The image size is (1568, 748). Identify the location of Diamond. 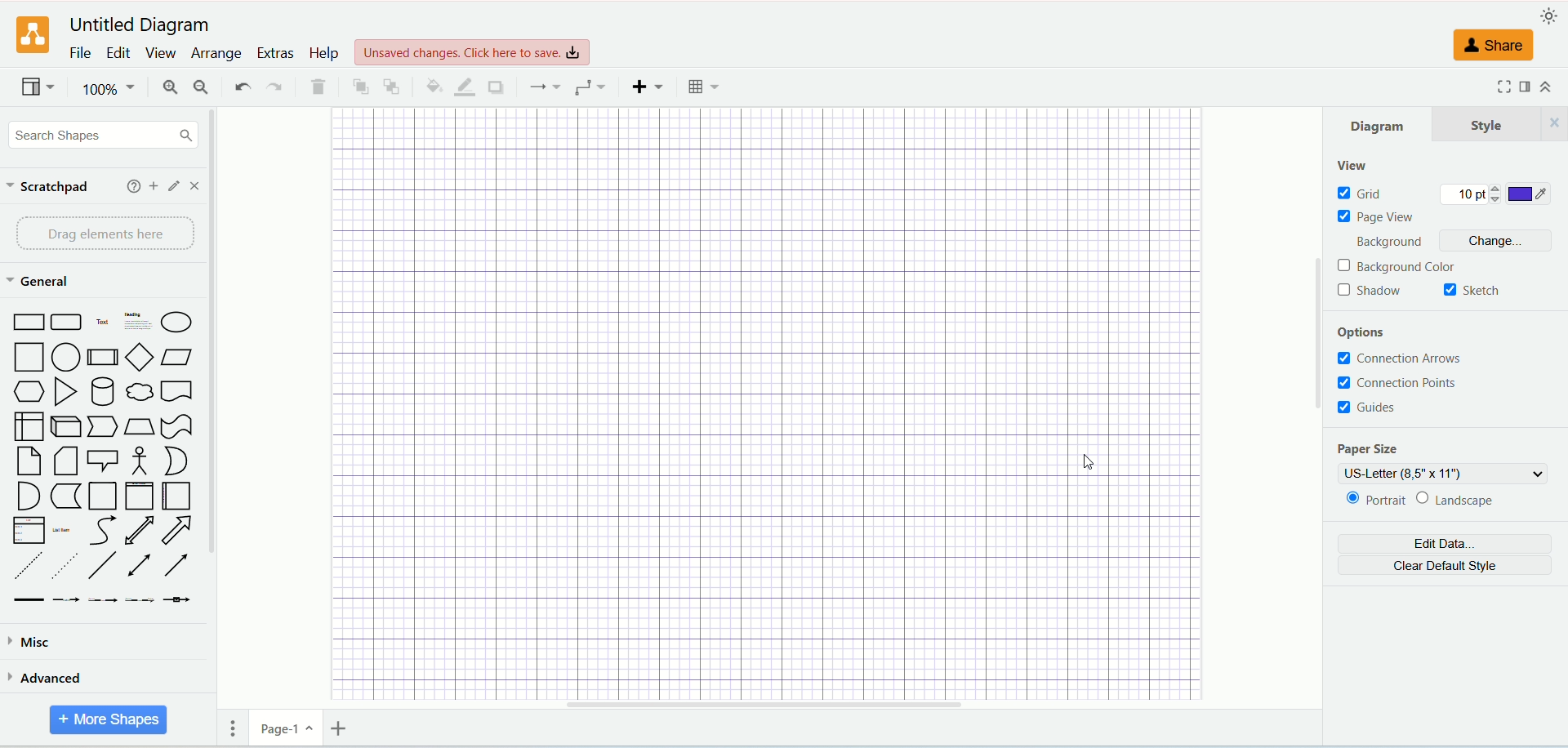
(141, 359).